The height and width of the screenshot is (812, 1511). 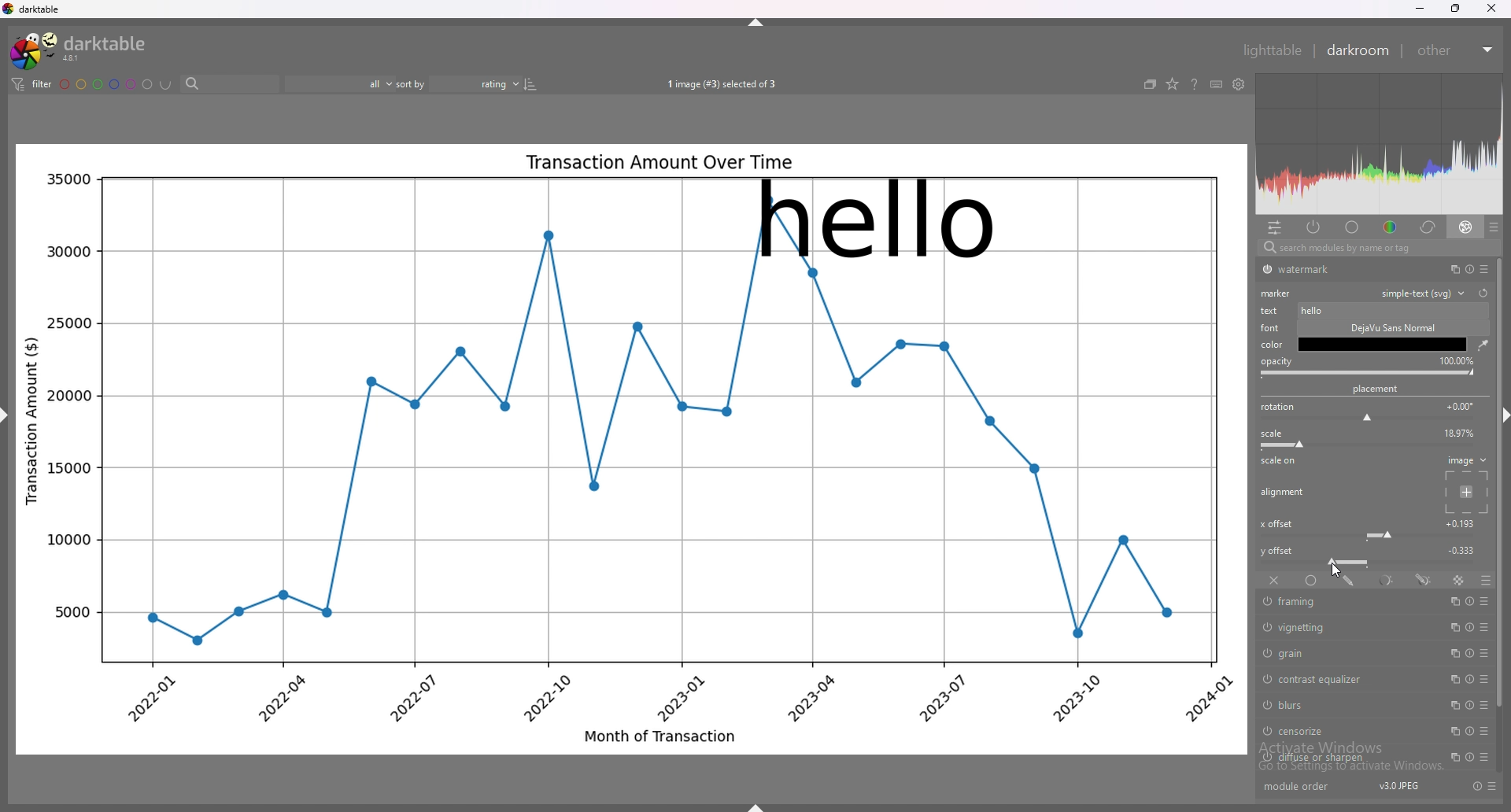 I want to click on watermark, so click(x=1348, y=269).